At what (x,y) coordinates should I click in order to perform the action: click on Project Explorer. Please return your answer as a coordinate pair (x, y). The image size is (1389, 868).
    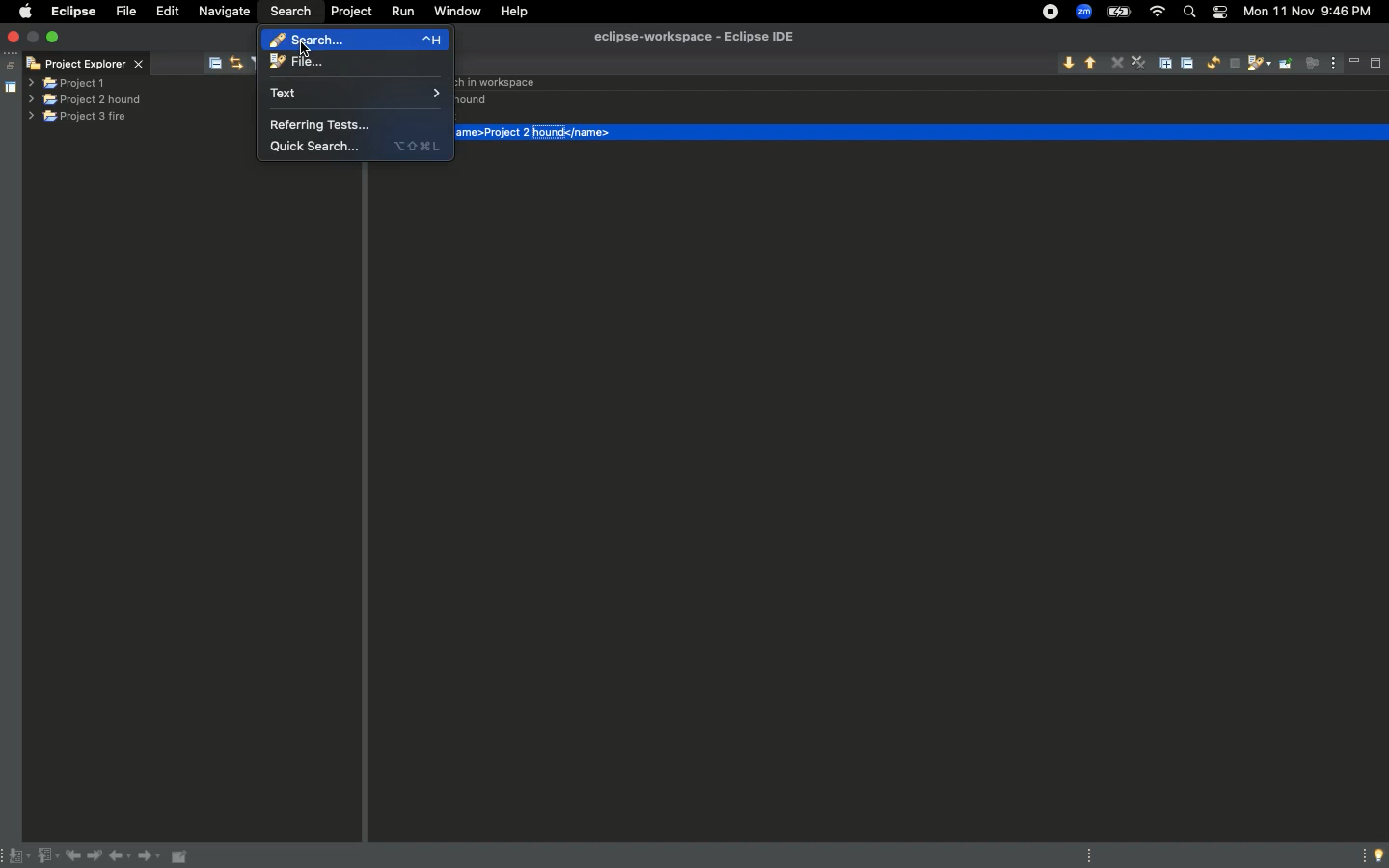
    Looking at the image, I should click on (88, 62).